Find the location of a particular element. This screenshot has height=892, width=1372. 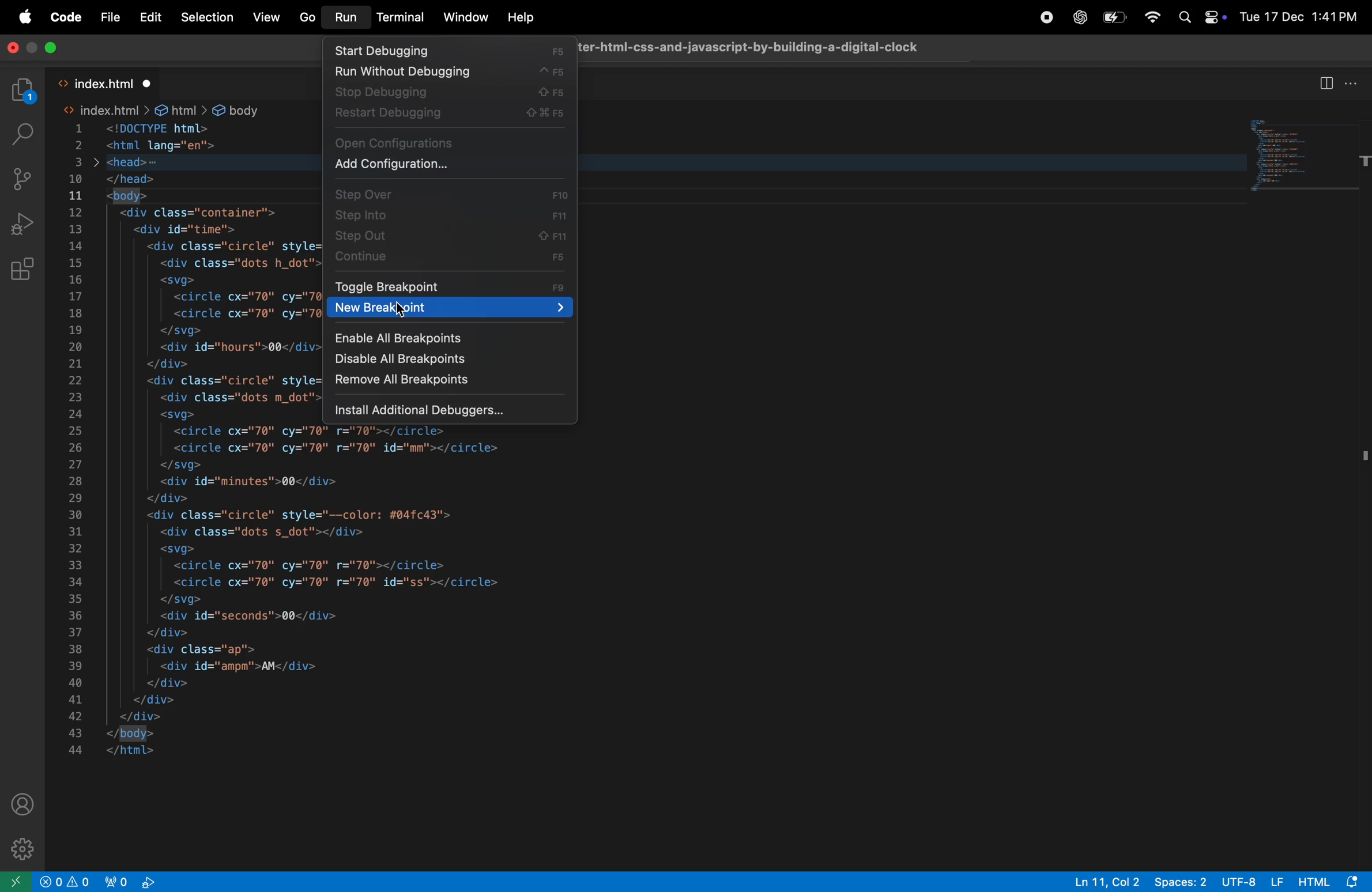

view port is located at coordinates (134, 881).